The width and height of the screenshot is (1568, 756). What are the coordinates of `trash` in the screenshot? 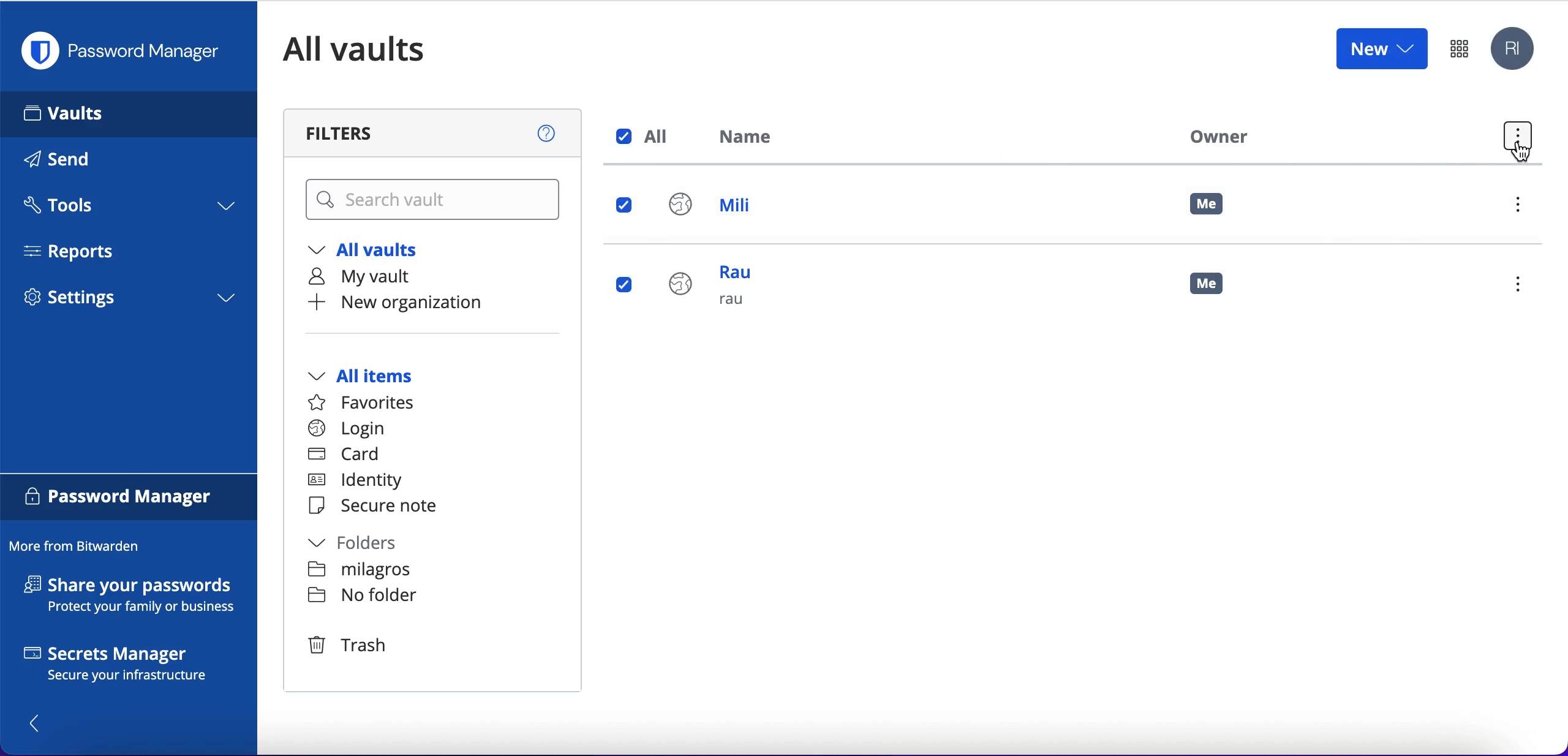 It's located at (346, 644).